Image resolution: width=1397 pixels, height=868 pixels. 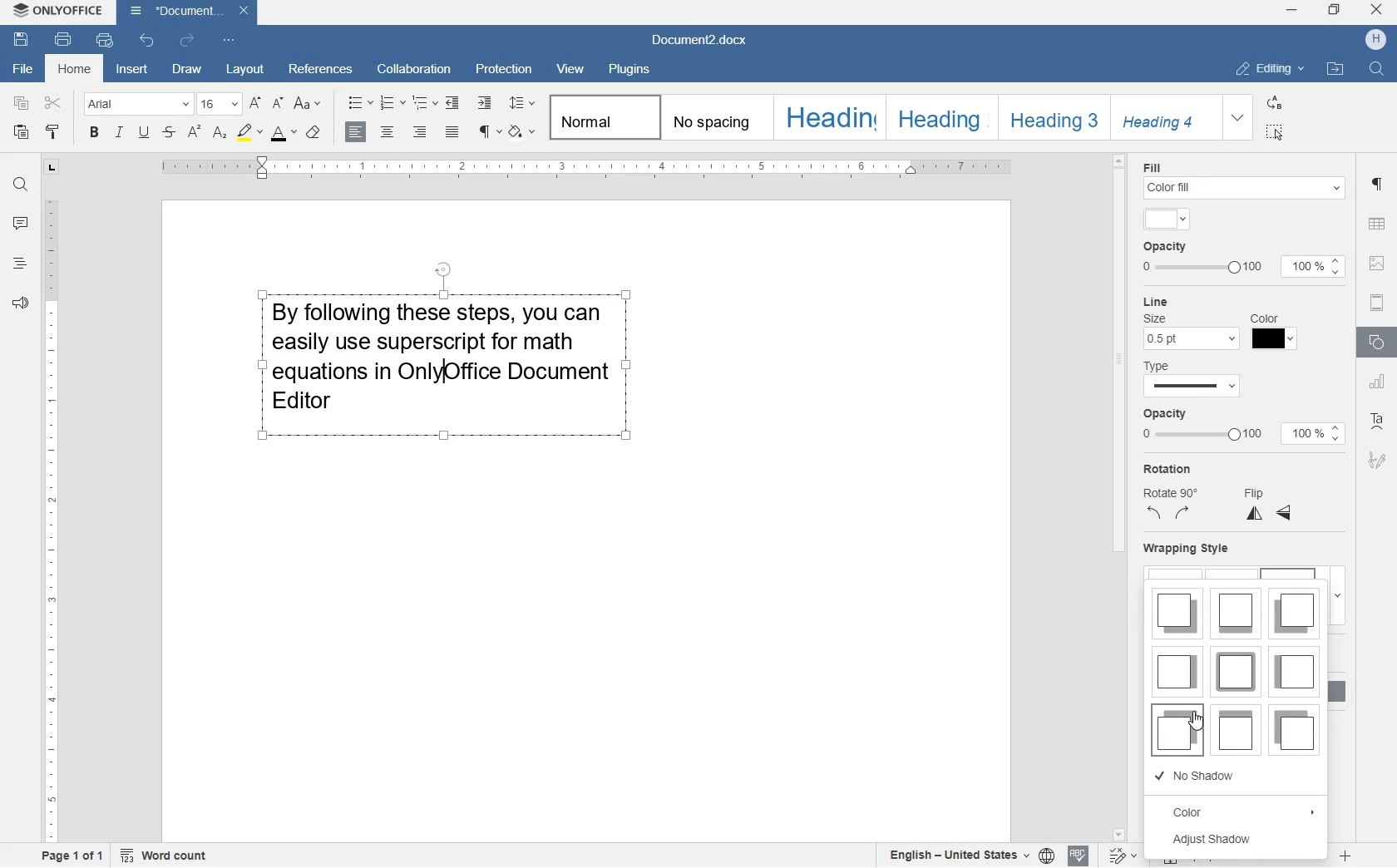 What do you see at coordinates (23, 186) in the screenshot?
I see `find` at bounding box center [23, 186].